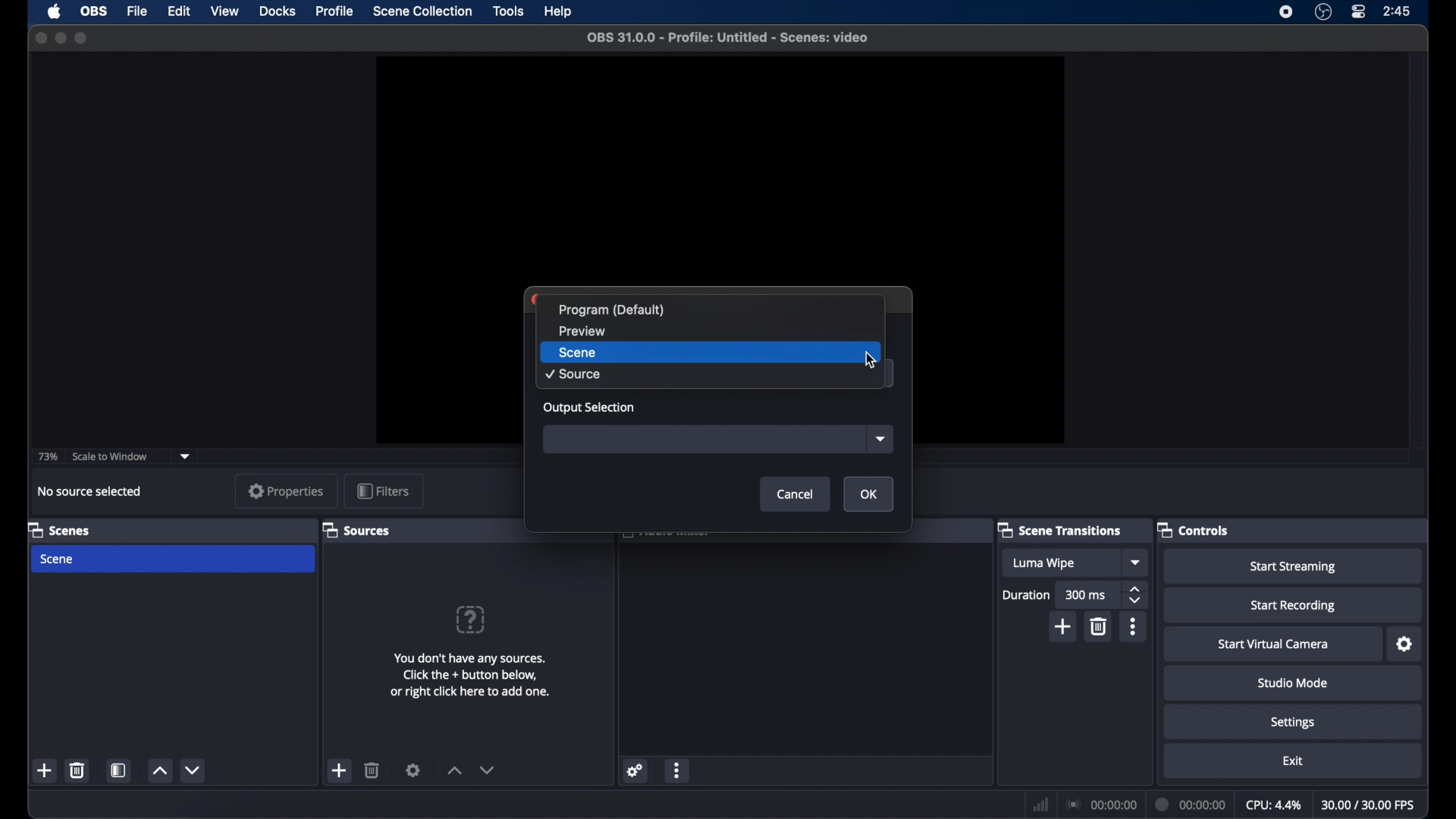  What do you see at coordinates (559, 11) in the screenshot?
I see `help` at bounding box center [559, 11].